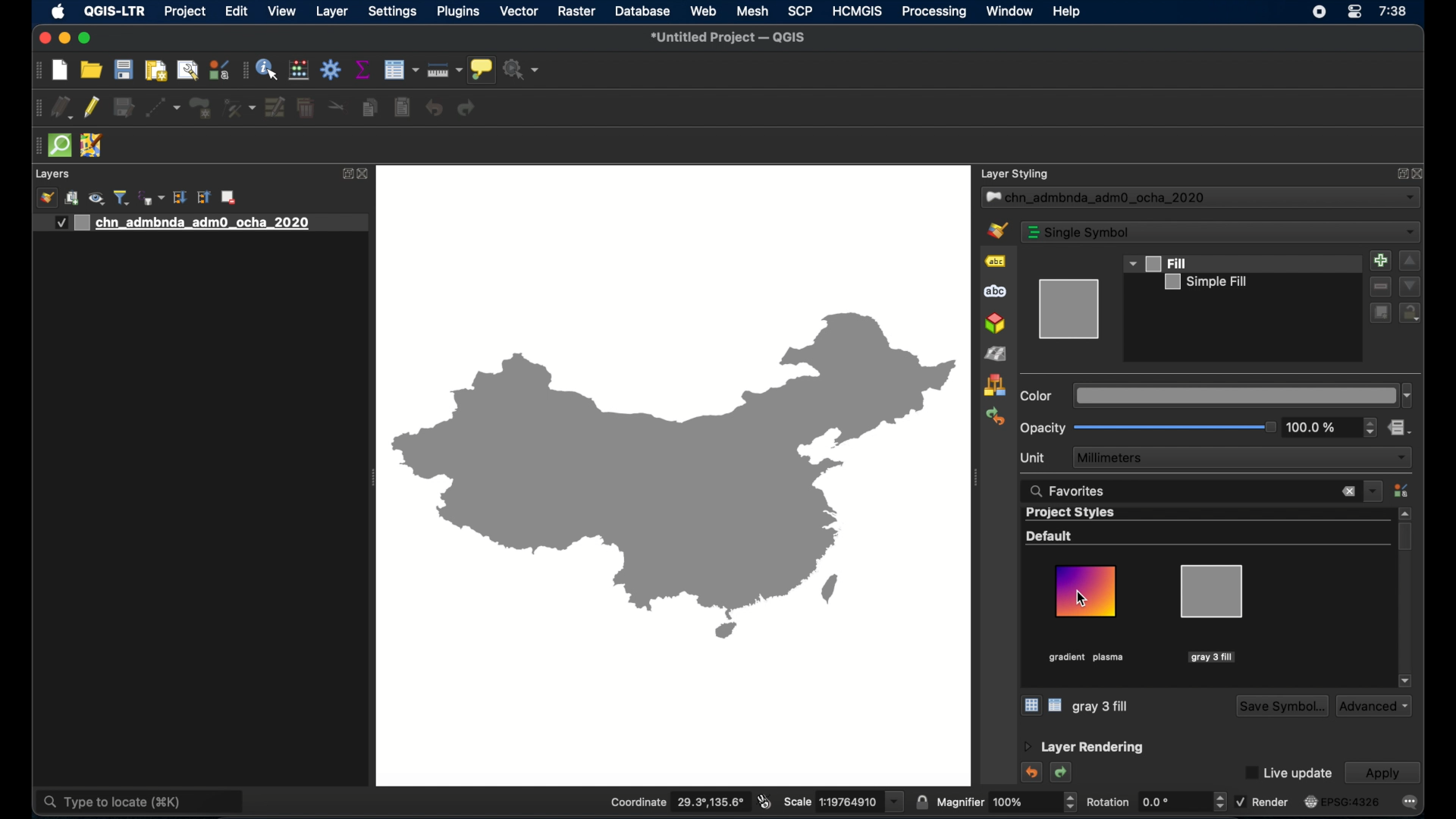  What do you see at coordinates (1043, 428) in the screenshot?
I see `opacity` at bounding box center [1043, 428].